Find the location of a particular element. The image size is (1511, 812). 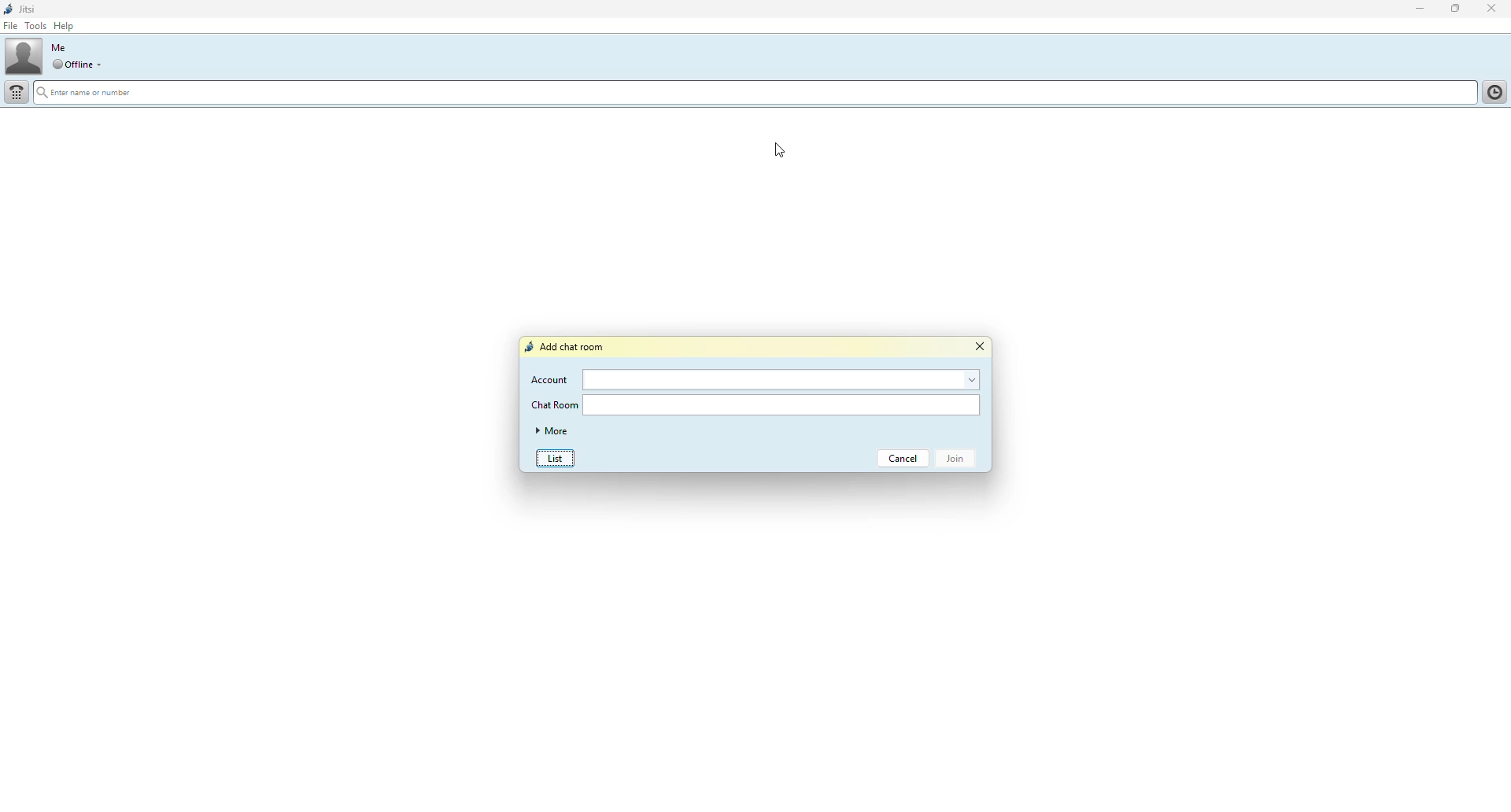

cursor is located at coordinates (776, 151).